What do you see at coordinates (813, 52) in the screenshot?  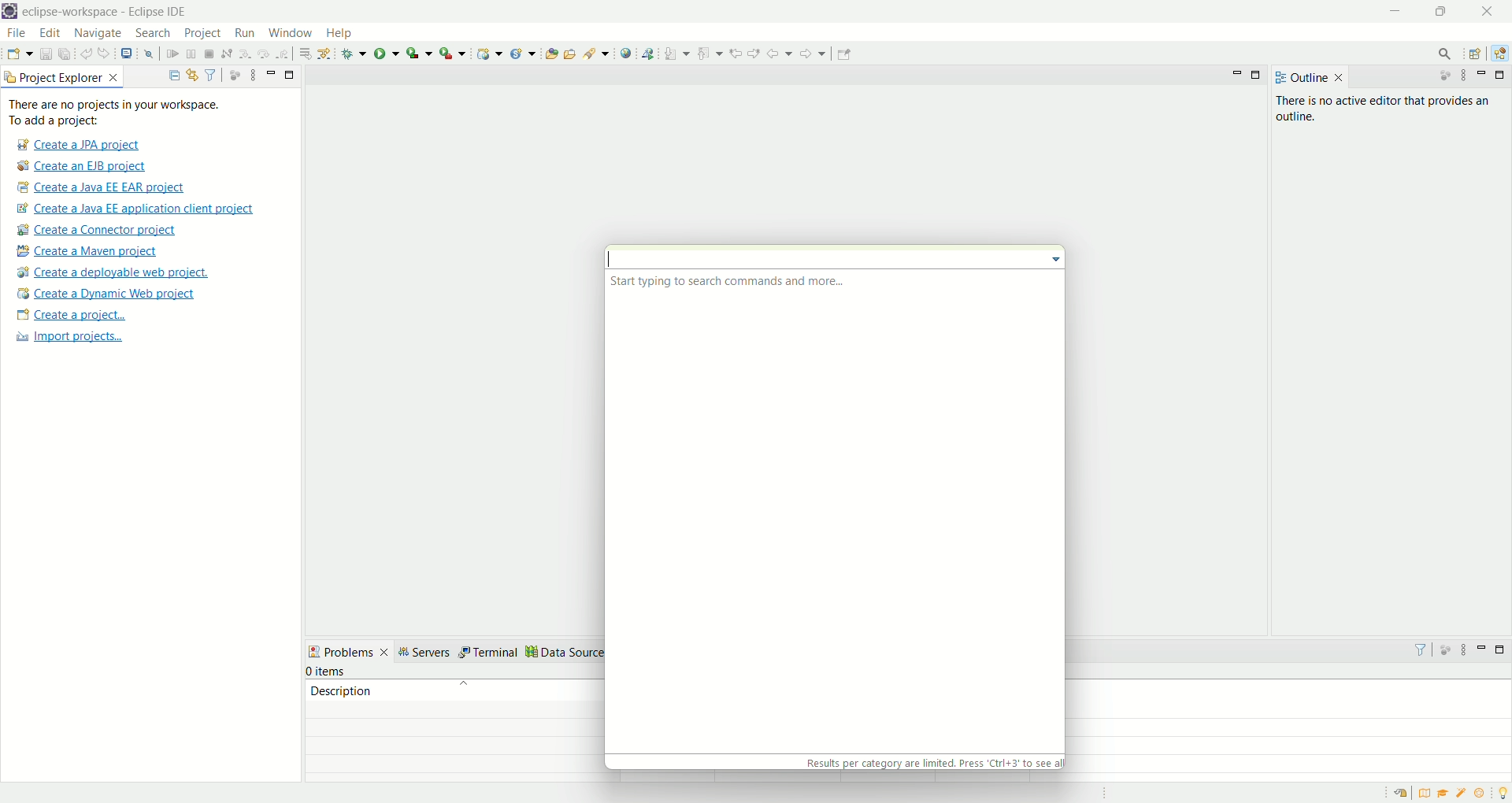 I see `forward` at bounding box center [813, 52].